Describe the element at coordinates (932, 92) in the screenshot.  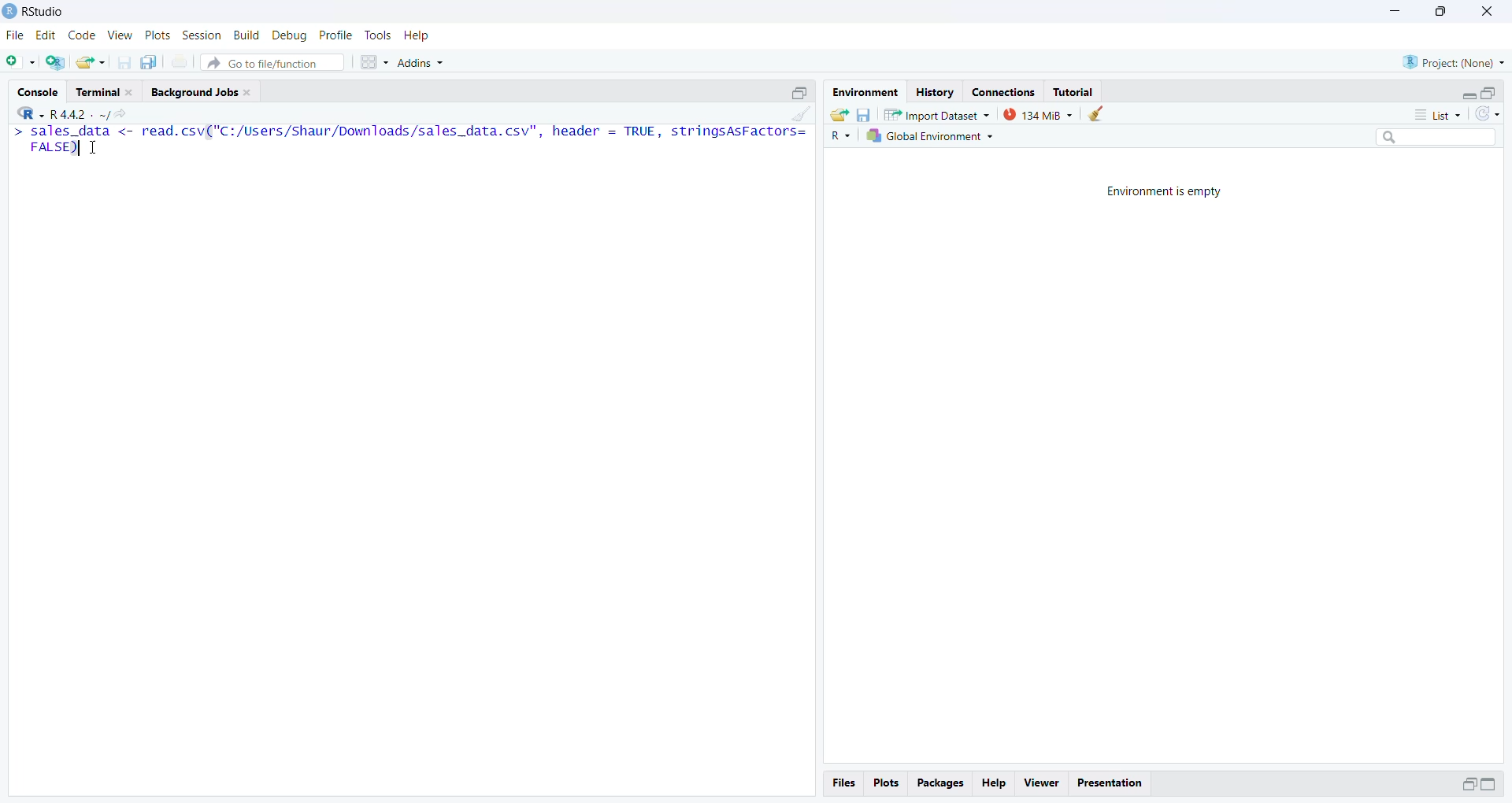
I see `History` at that location.